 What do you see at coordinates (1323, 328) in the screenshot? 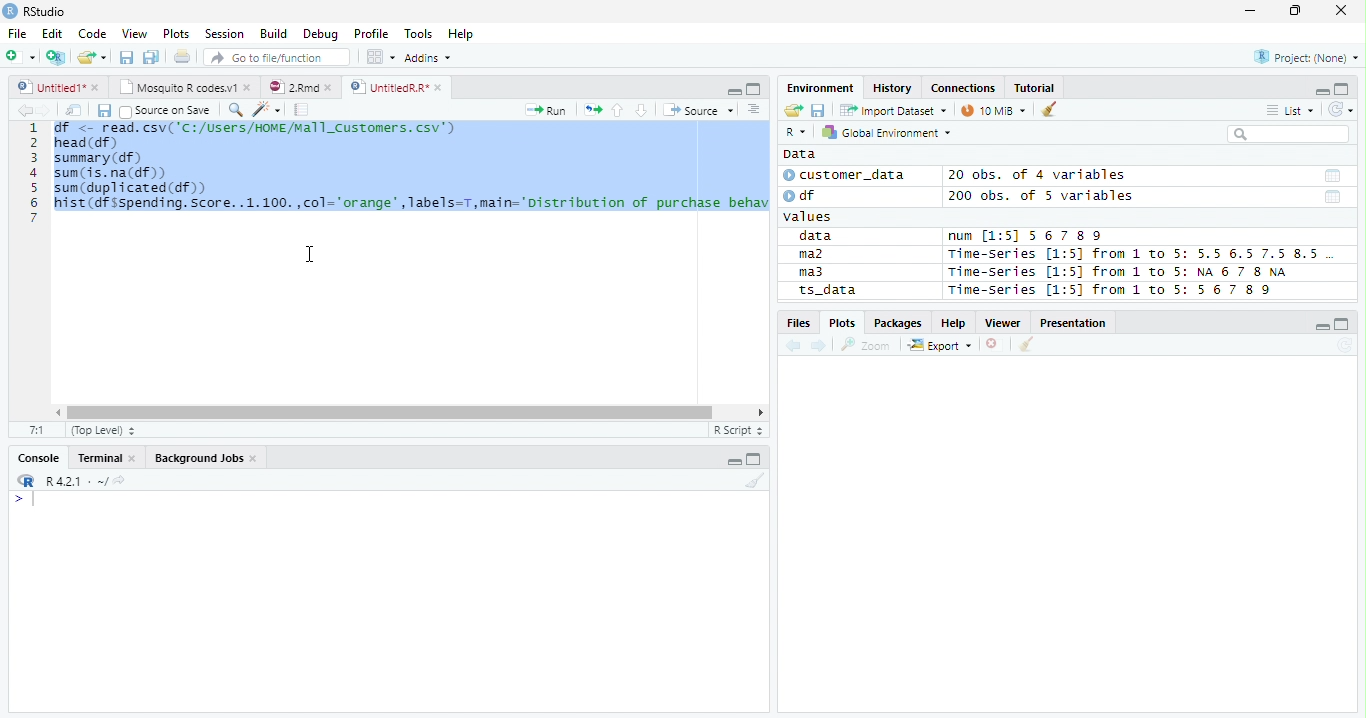
I see `Minimize` at bounding box center [1323, 328].